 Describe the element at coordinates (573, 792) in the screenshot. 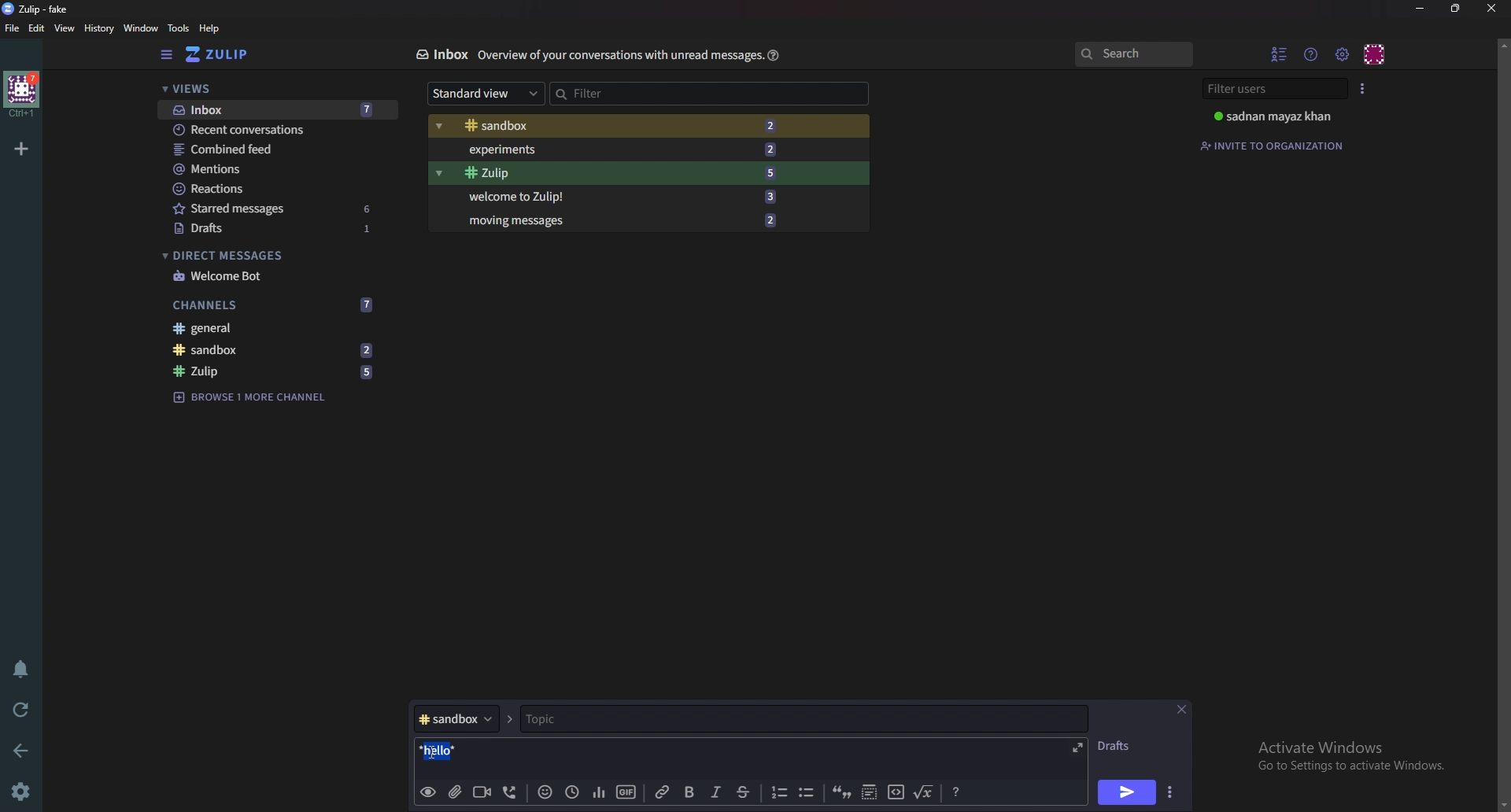

I see `Global time` at that location.